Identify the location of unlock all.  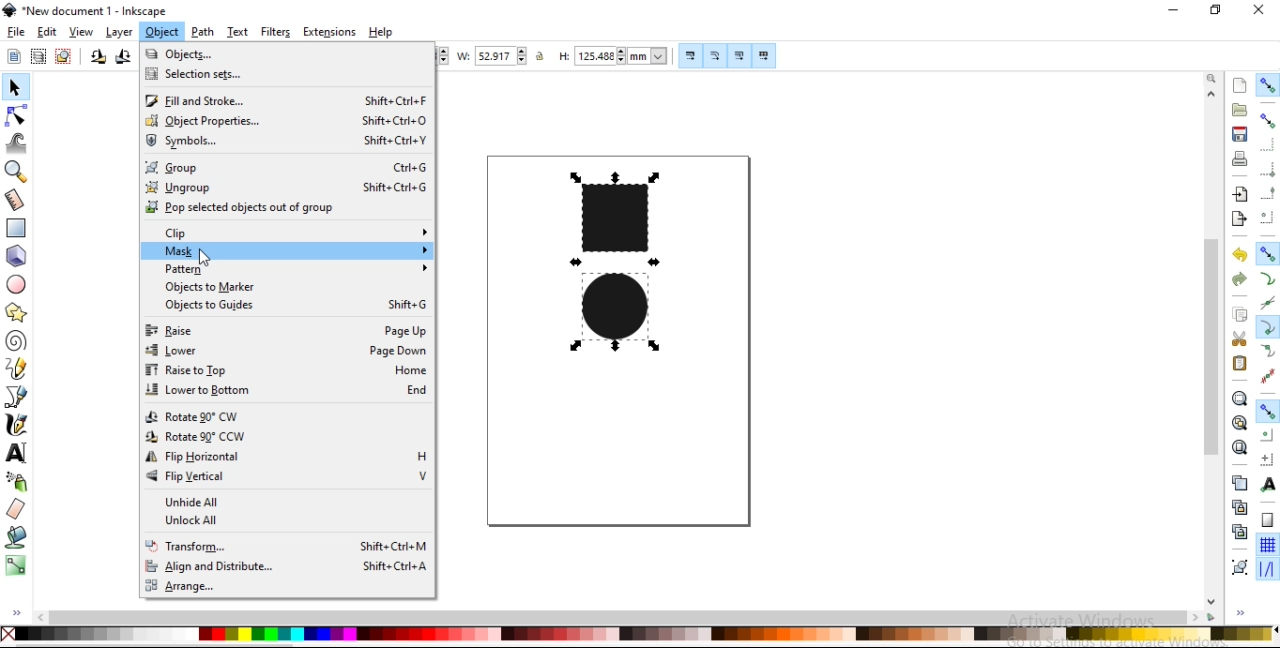
(295, 522).